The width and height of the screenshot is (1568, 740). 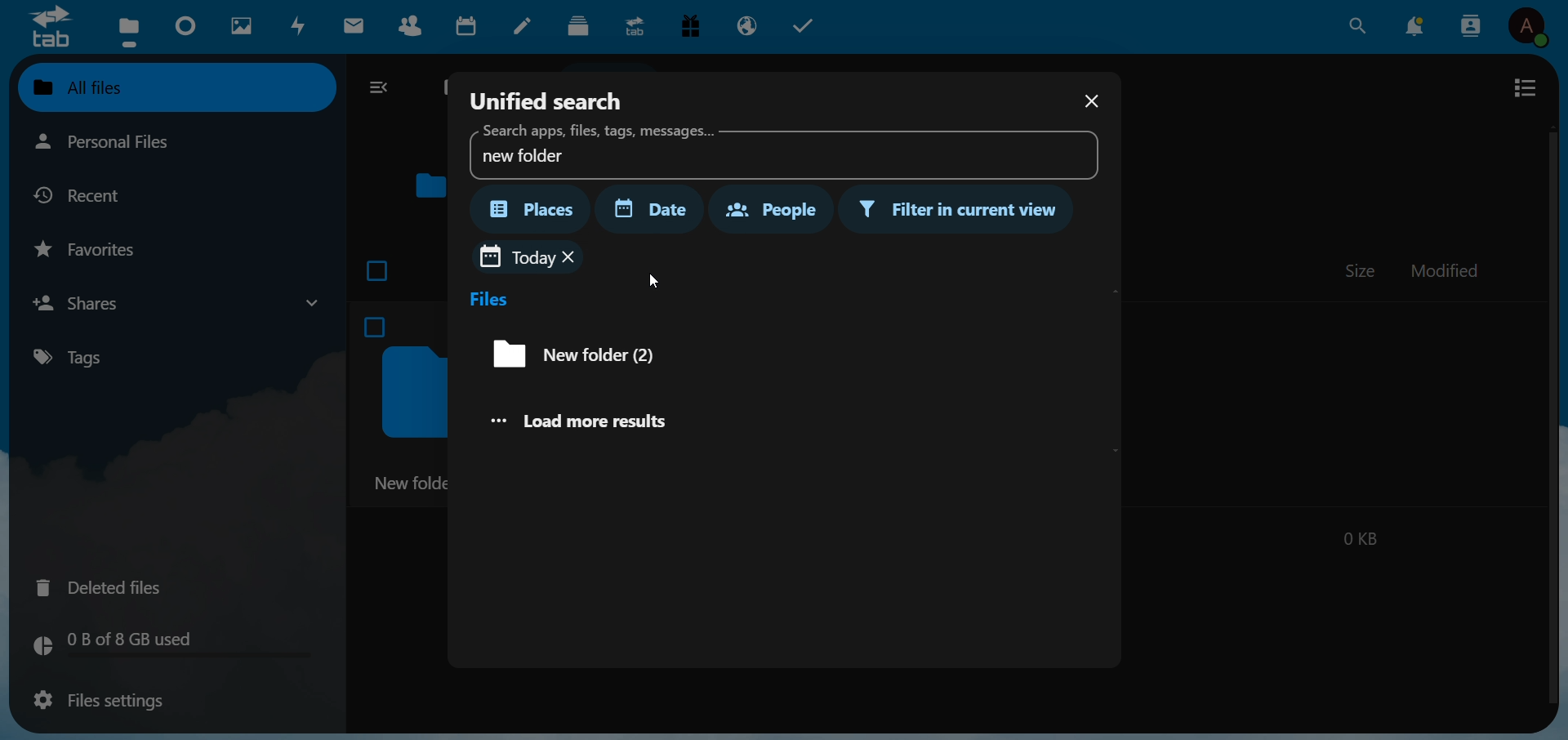 What do you see at coordinates (637, 25) in the screenshot?
I see `upgrade` at bounding box center [637, 25].